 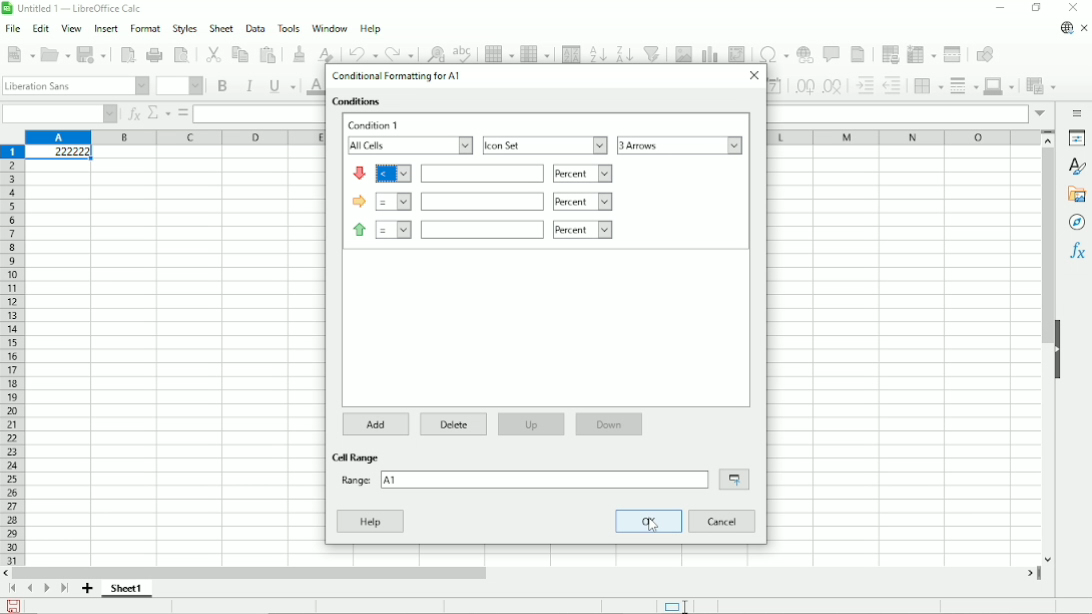 What do you see at coordinates (370, 521) in the screenshot?
I see `Help` at bounding box center [370, 521].